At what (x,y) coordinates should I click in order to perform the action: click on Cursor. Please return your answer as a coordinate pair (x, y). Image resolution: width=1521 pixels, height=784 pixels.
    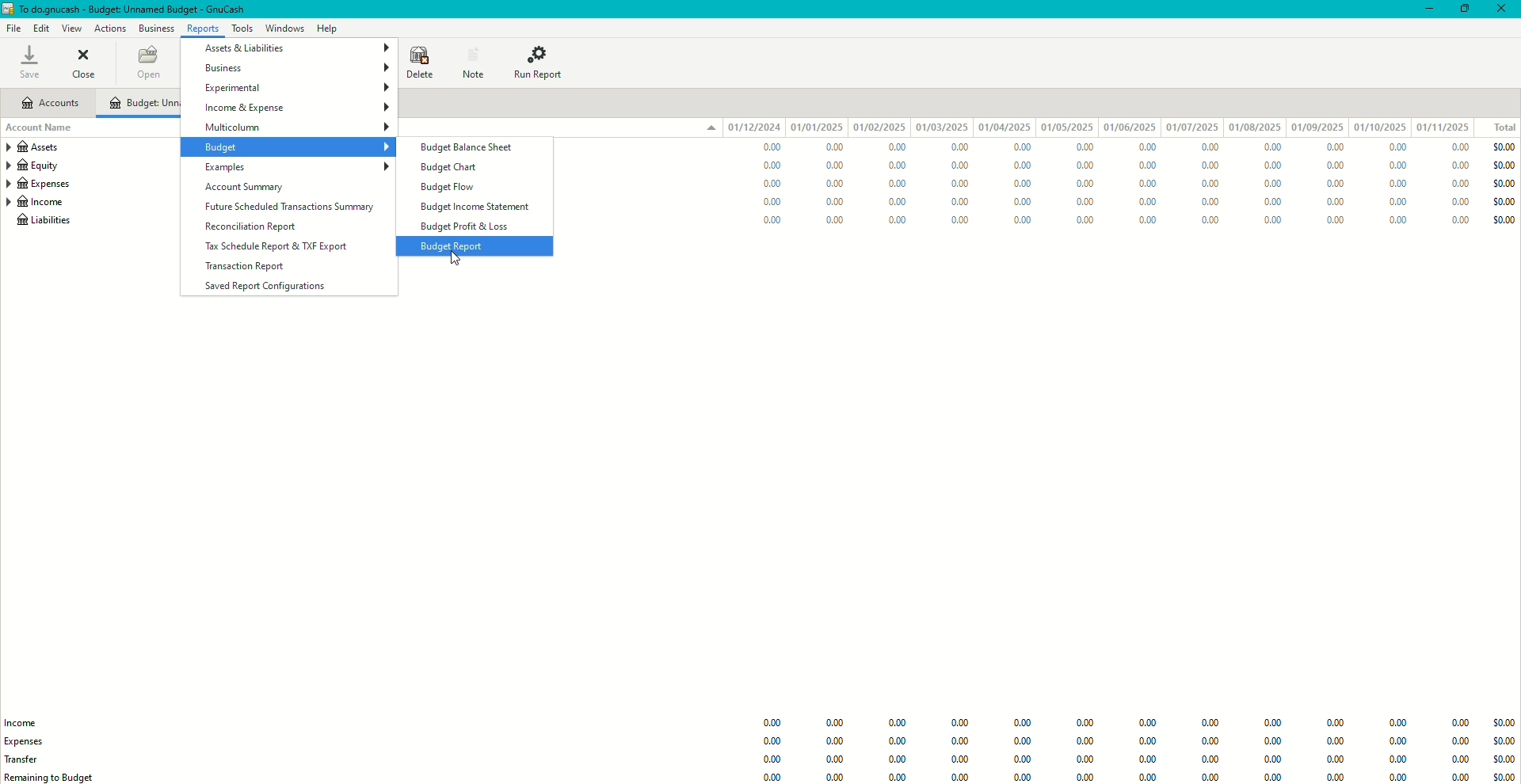
    Looking at the image, I should click on (452, 258).